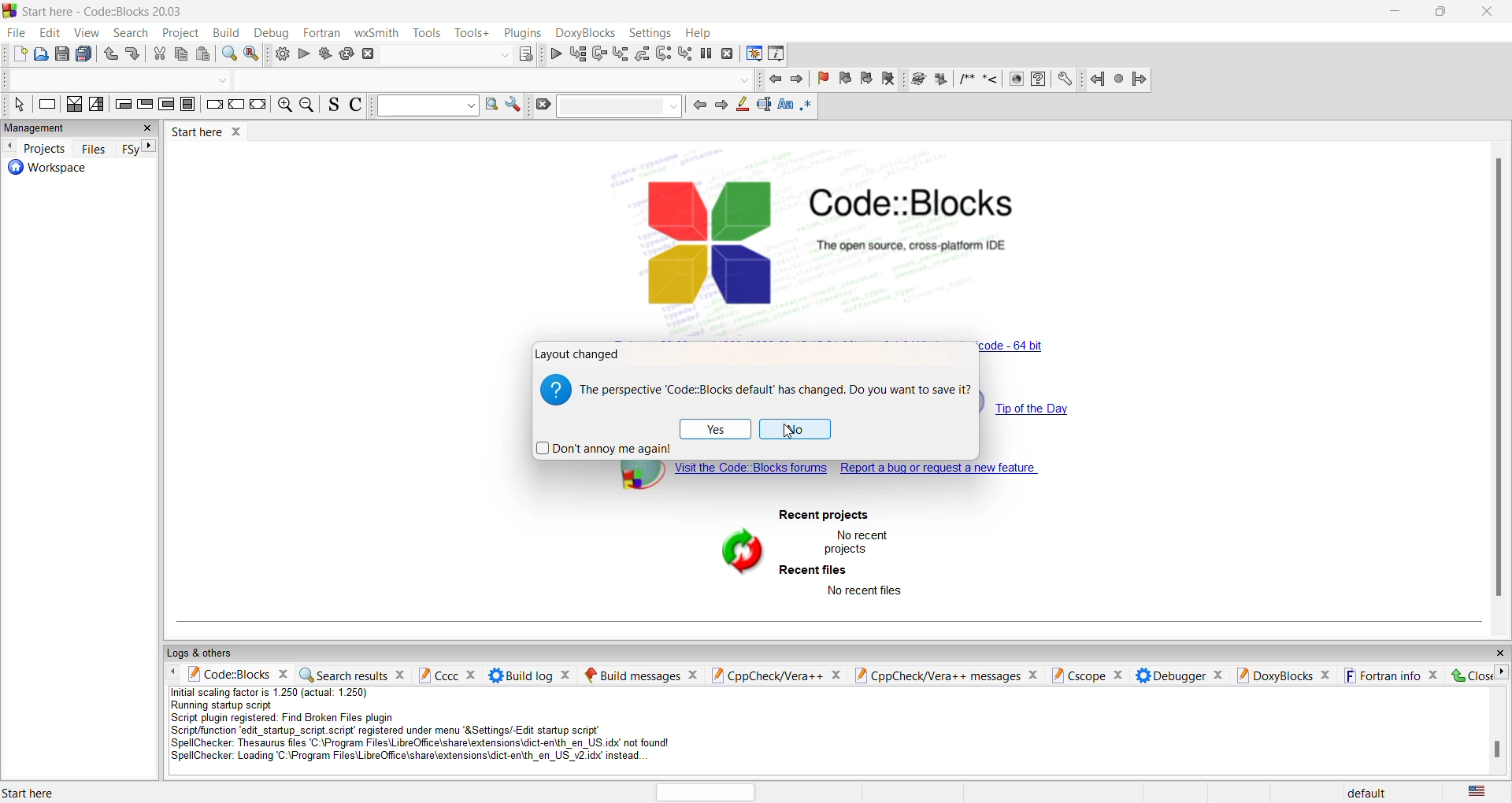  Describe the element at coordinates (181, 54) in the screenshot. I see `copy` at that location.